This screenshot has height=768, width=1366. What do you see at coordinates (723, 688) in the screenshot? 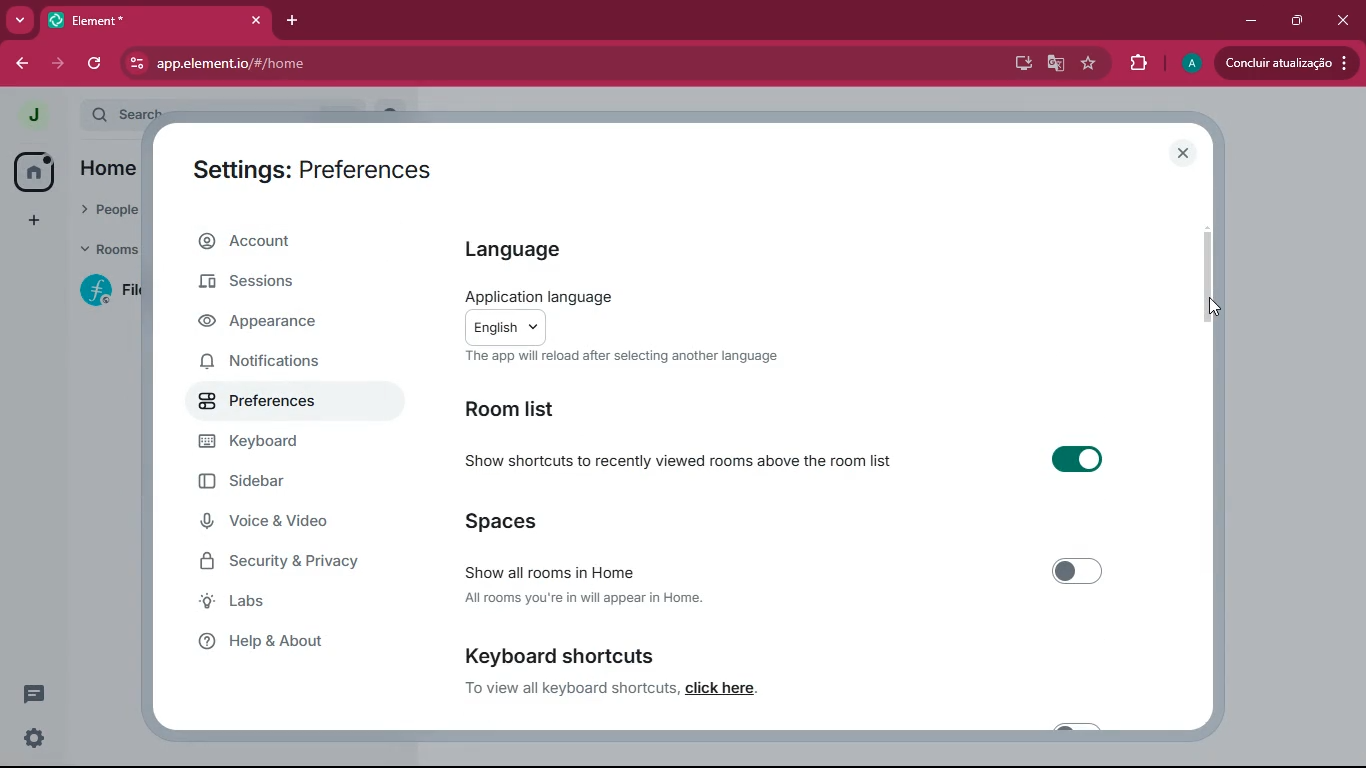
I see `click here` at bounding box center [723, 688].